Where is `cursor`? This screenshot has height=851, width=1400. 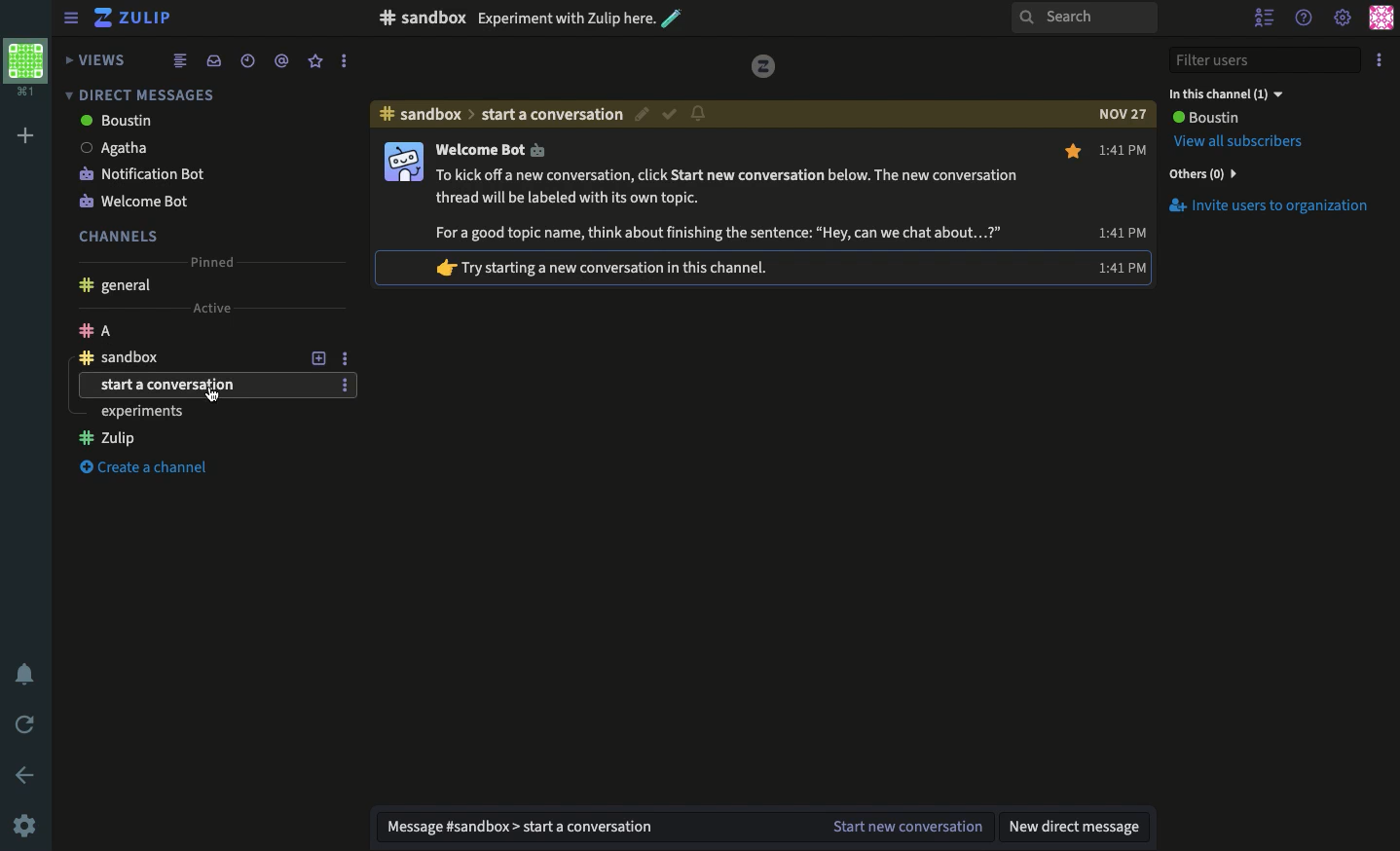
cursor is located at coordinates (213, 394).